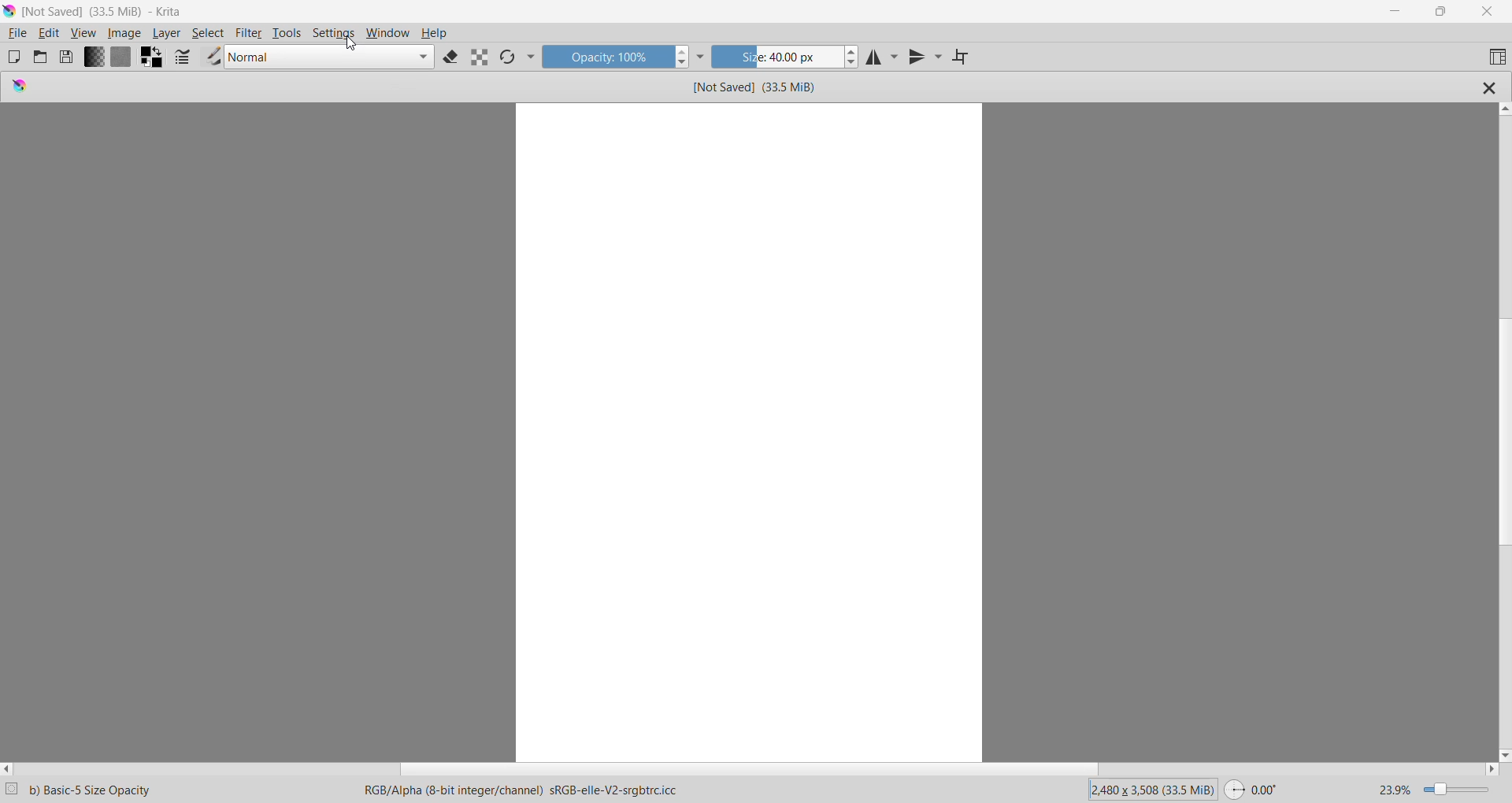 The image size is (1512, 803). I want to click on RGB color model with an alpha channel , 8-bit color depth, so click(450, 791).